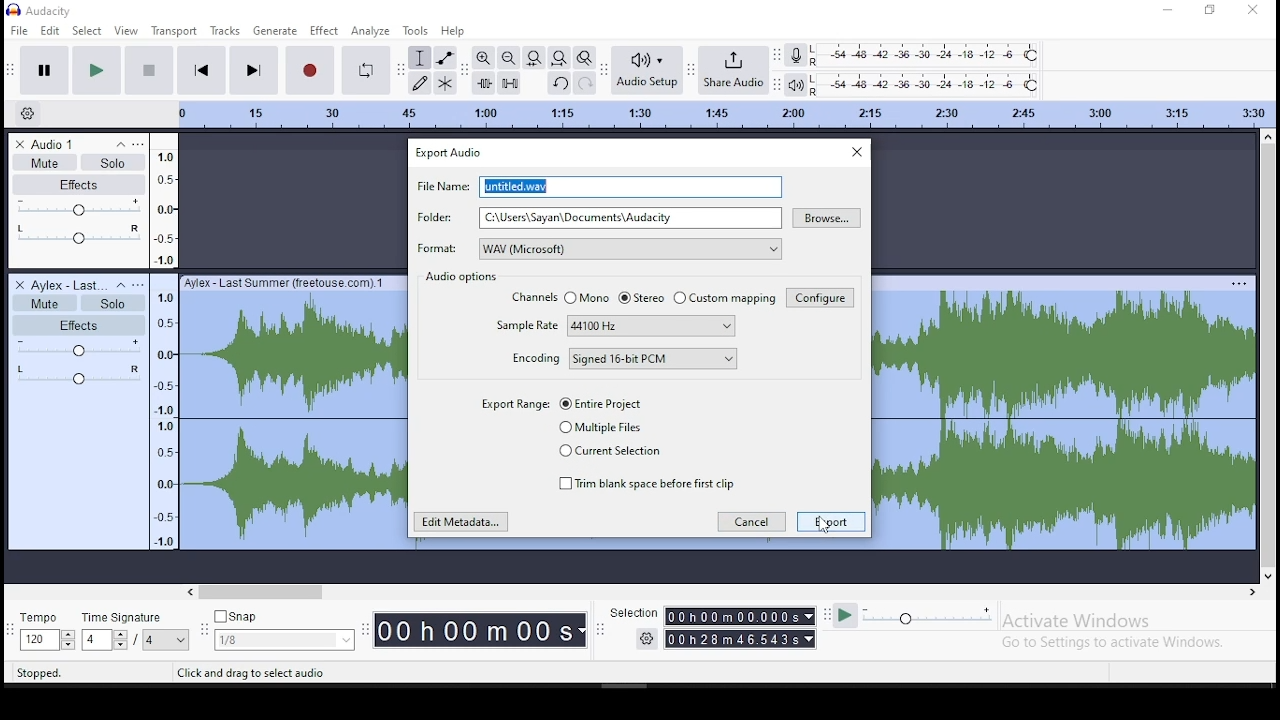 The image size is (1280, 720). What do you see at coordinates (535, 297) in the screenshot?
I see `channels` at bounding box center [535, 297].